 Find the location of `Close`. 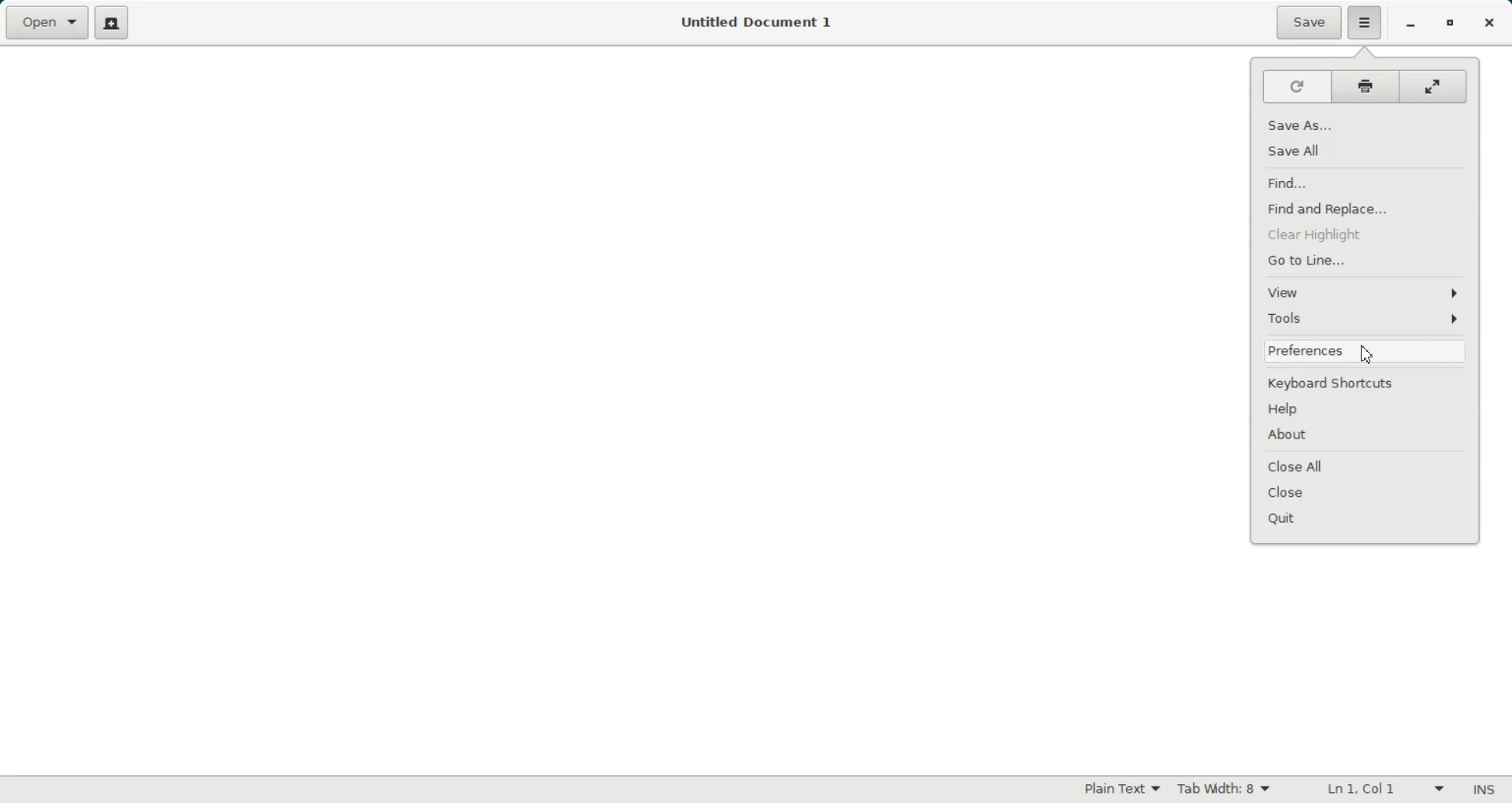

Close is located at coordinates (1367, 492).